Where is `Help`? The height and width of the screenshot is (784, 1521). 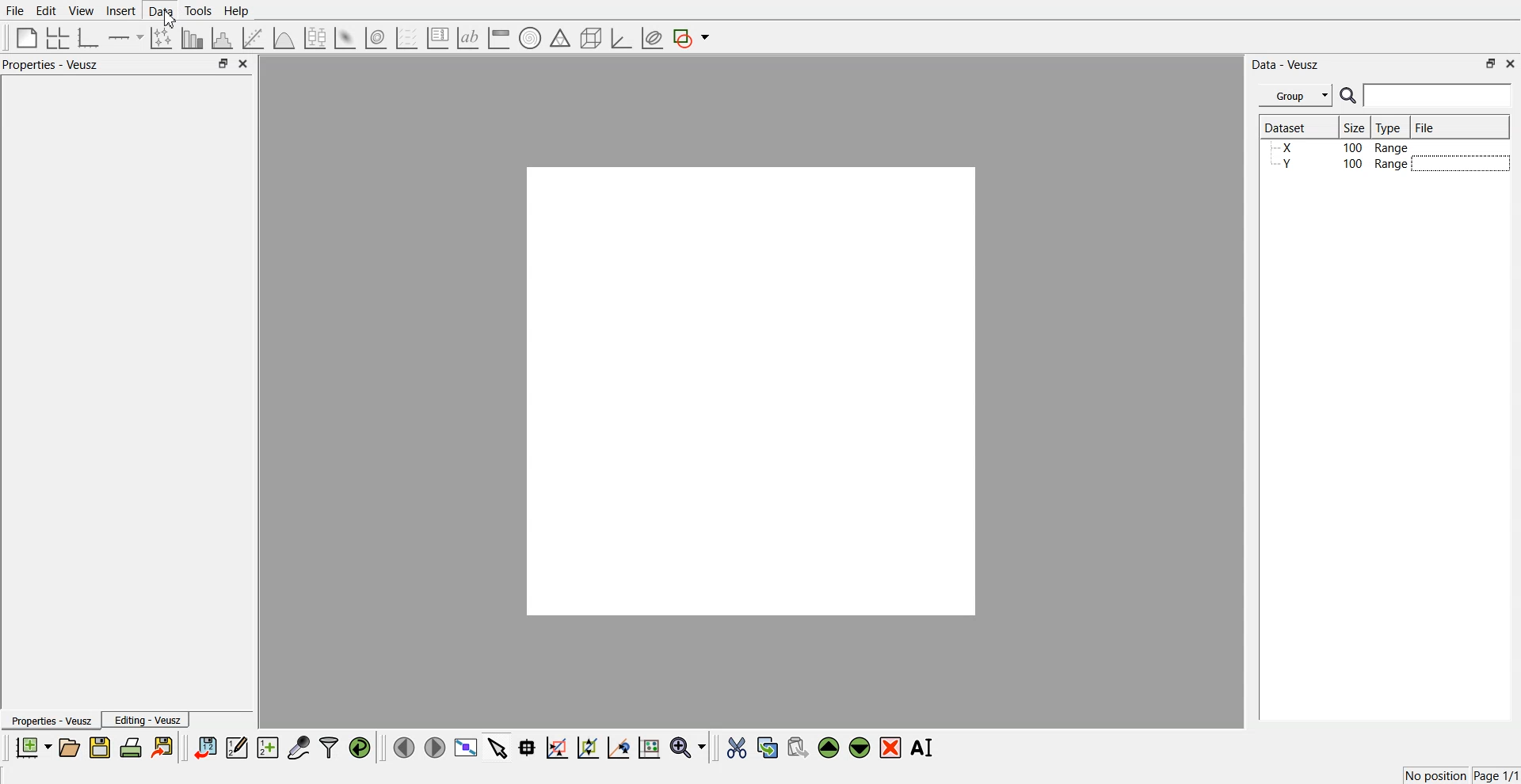
Help is located at coordinates (237, 11).